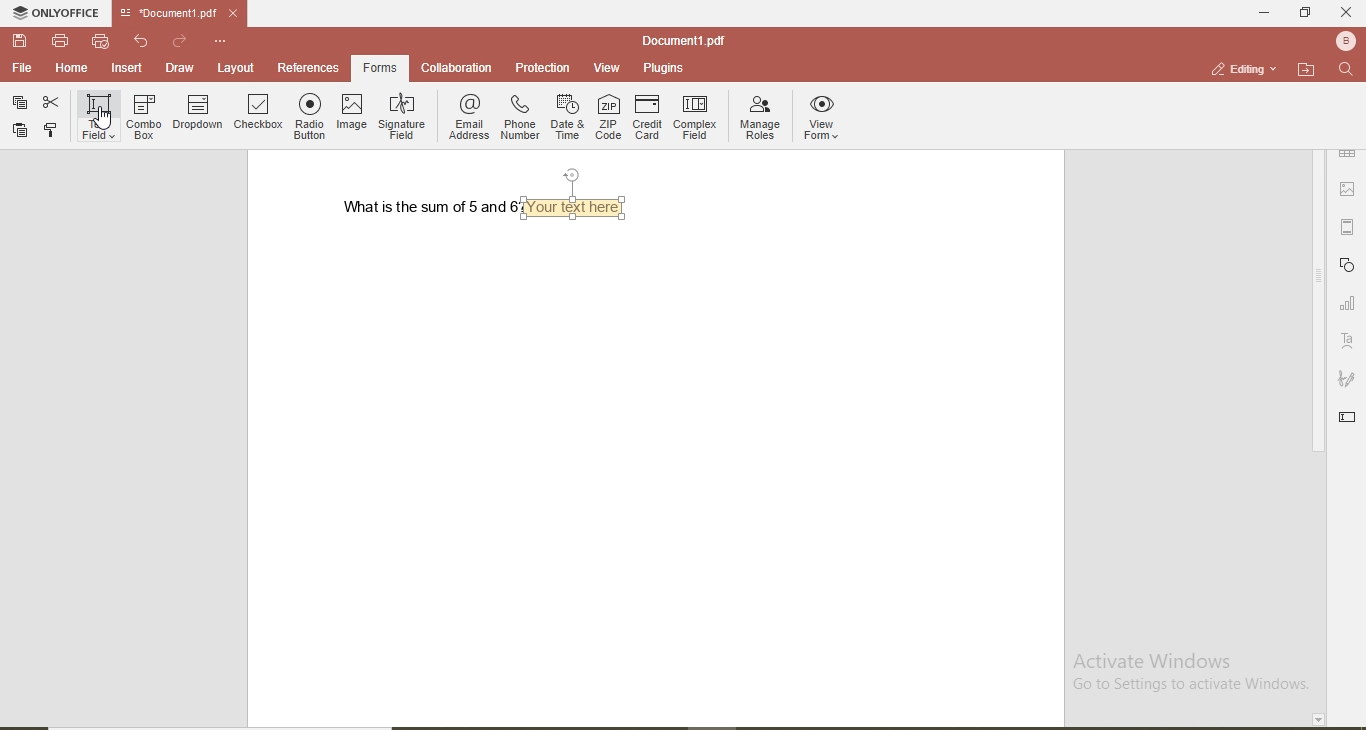 This screenshot has width=1366, height=730. Describe the element at coordinates (259, 113) in the screenshot. I see `checkbox` at that location.